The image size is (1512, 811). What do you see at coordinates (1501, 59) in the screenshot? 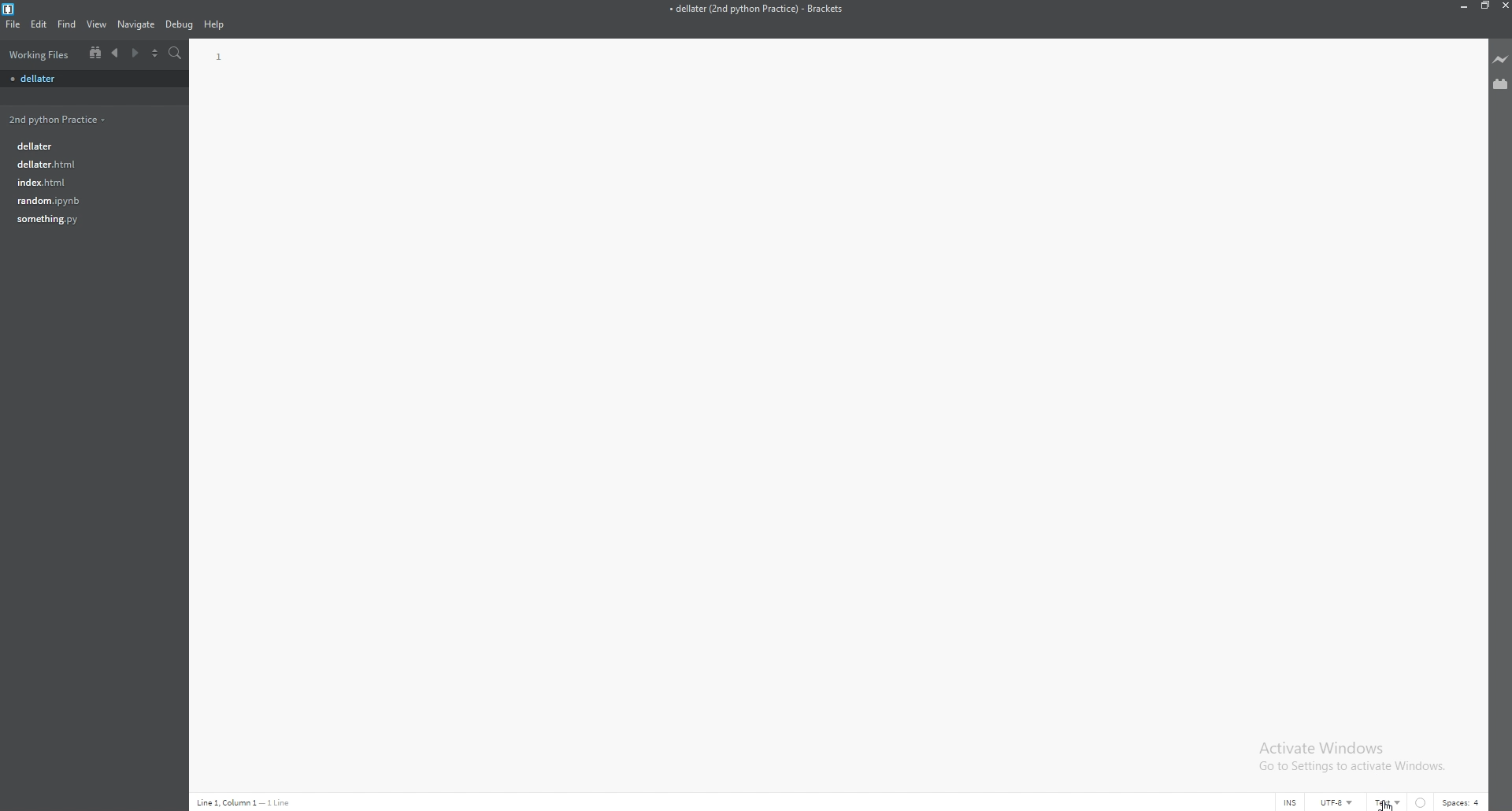
I see `live preview` at bounding box center [1501, 59].